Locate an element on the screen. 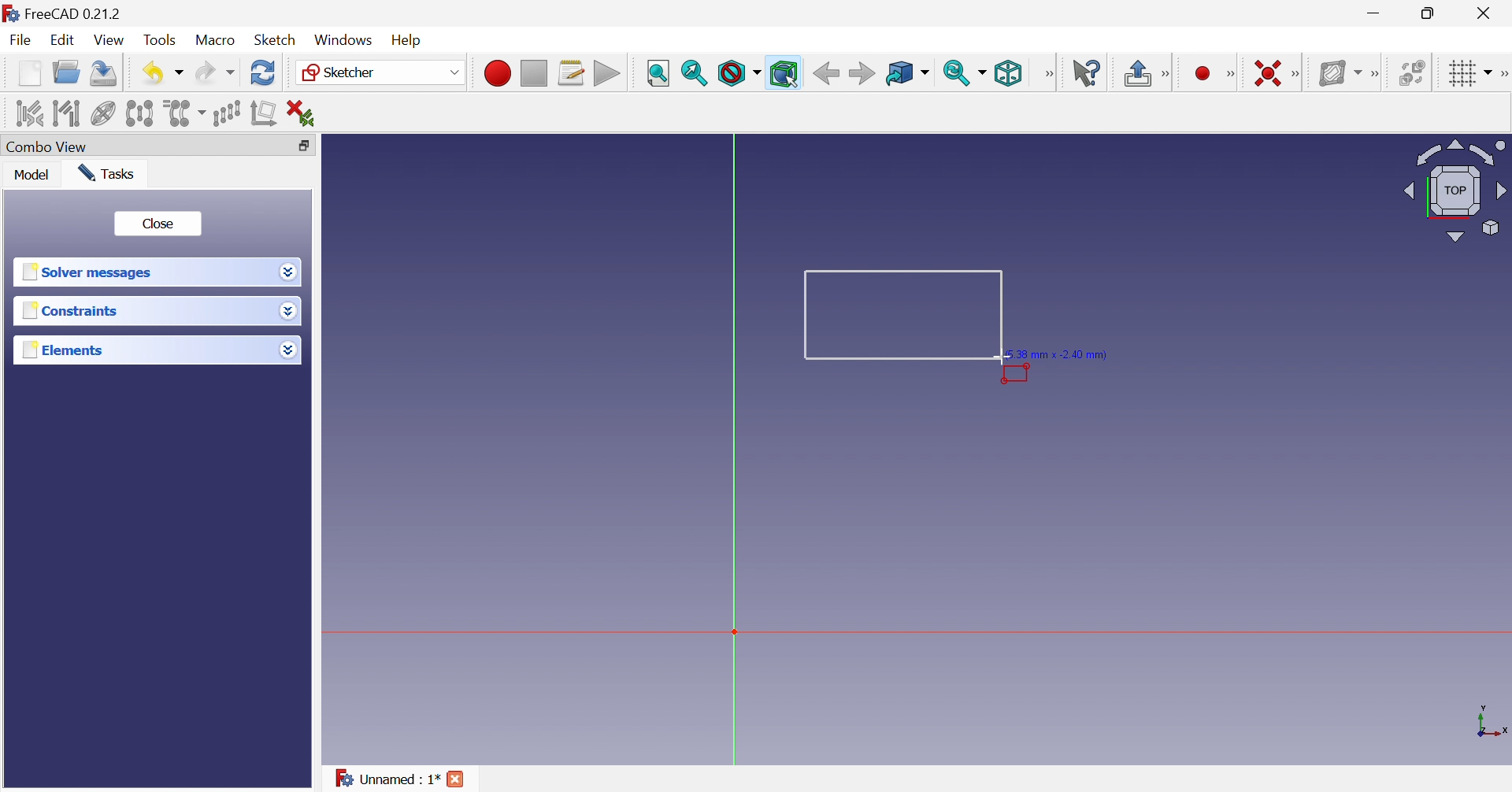 The width and height of the screenshot is (1512, 792). Refresh is located at coordinates (264, 73).